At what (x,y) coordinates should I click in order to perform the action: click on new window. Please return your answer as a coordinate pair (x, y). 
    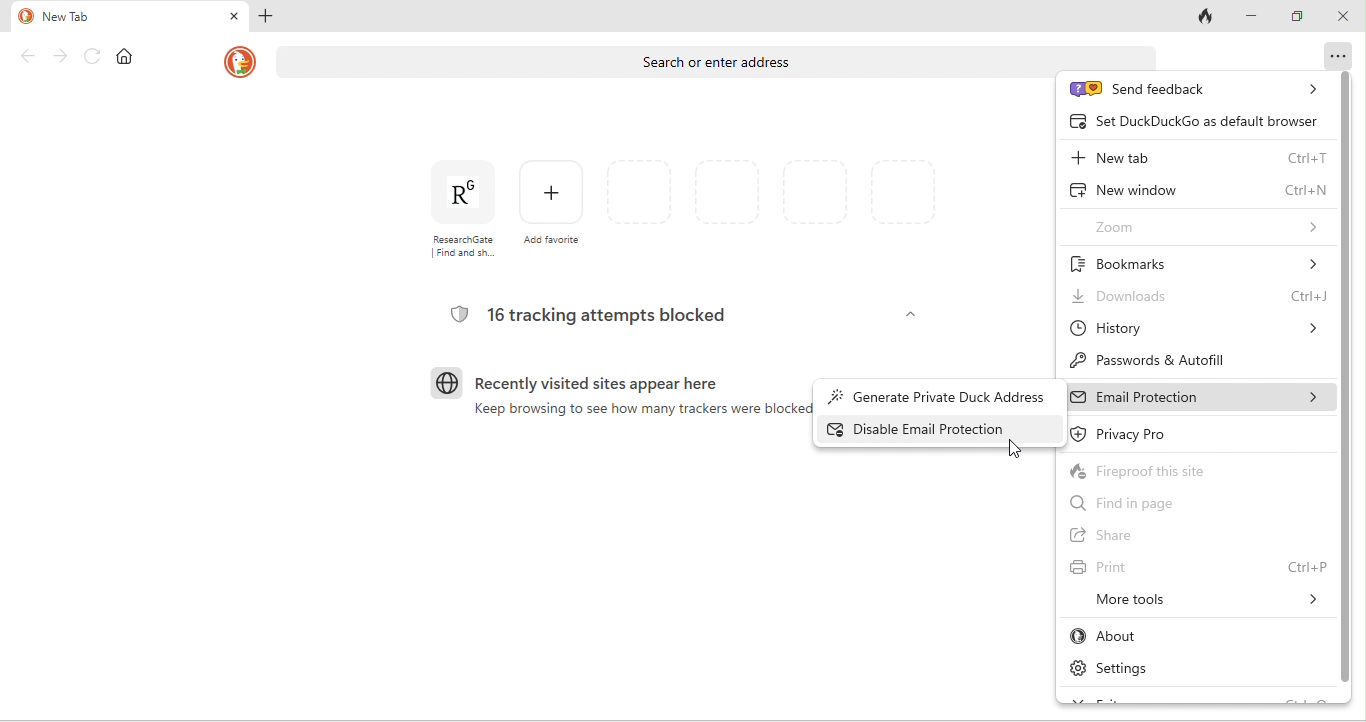
    Looking at the image, I should click on (1200, 189).